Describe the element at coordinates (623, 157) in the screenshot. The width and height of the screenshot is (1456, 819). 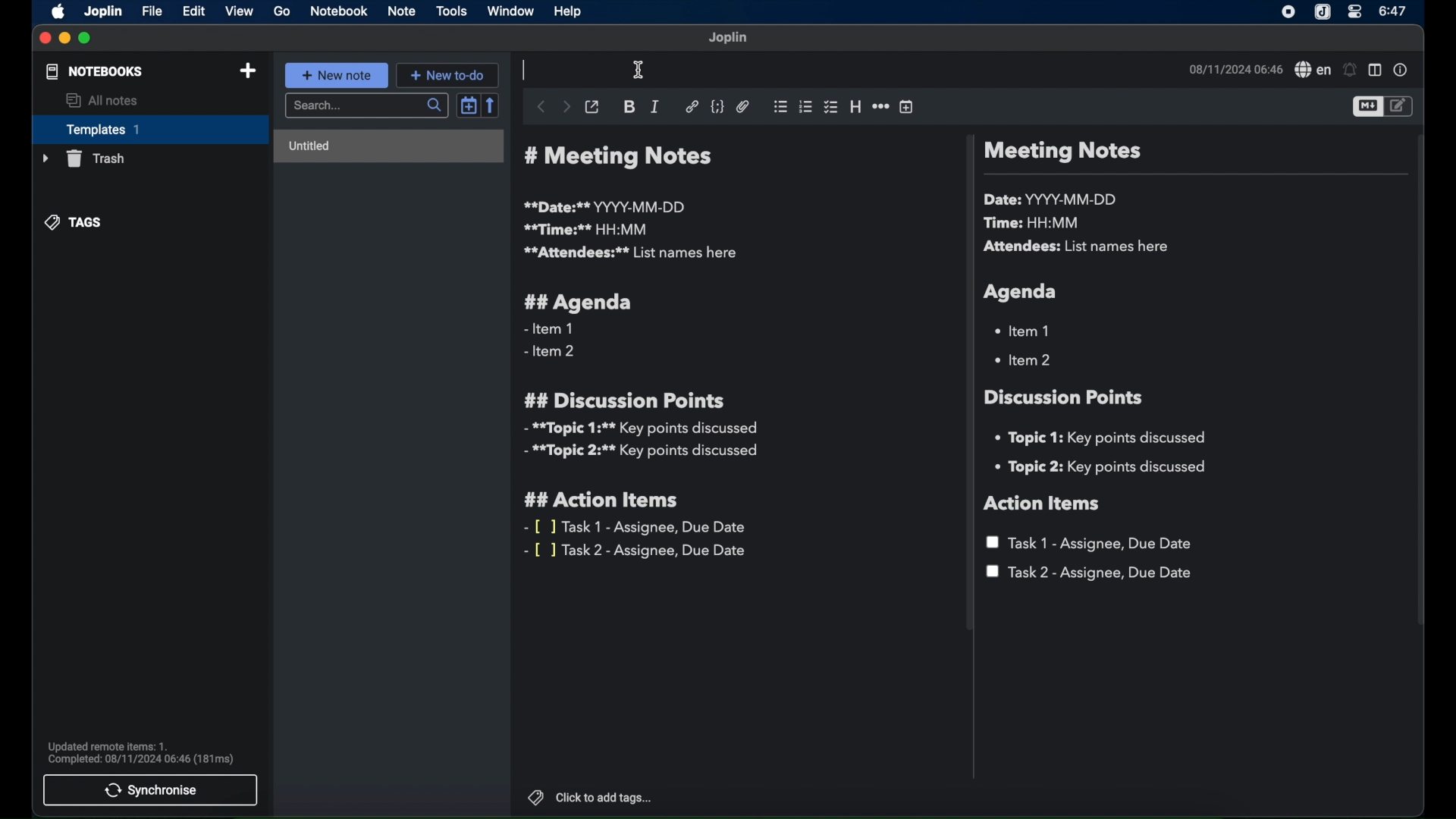
I see `# meeting notes` at that location.